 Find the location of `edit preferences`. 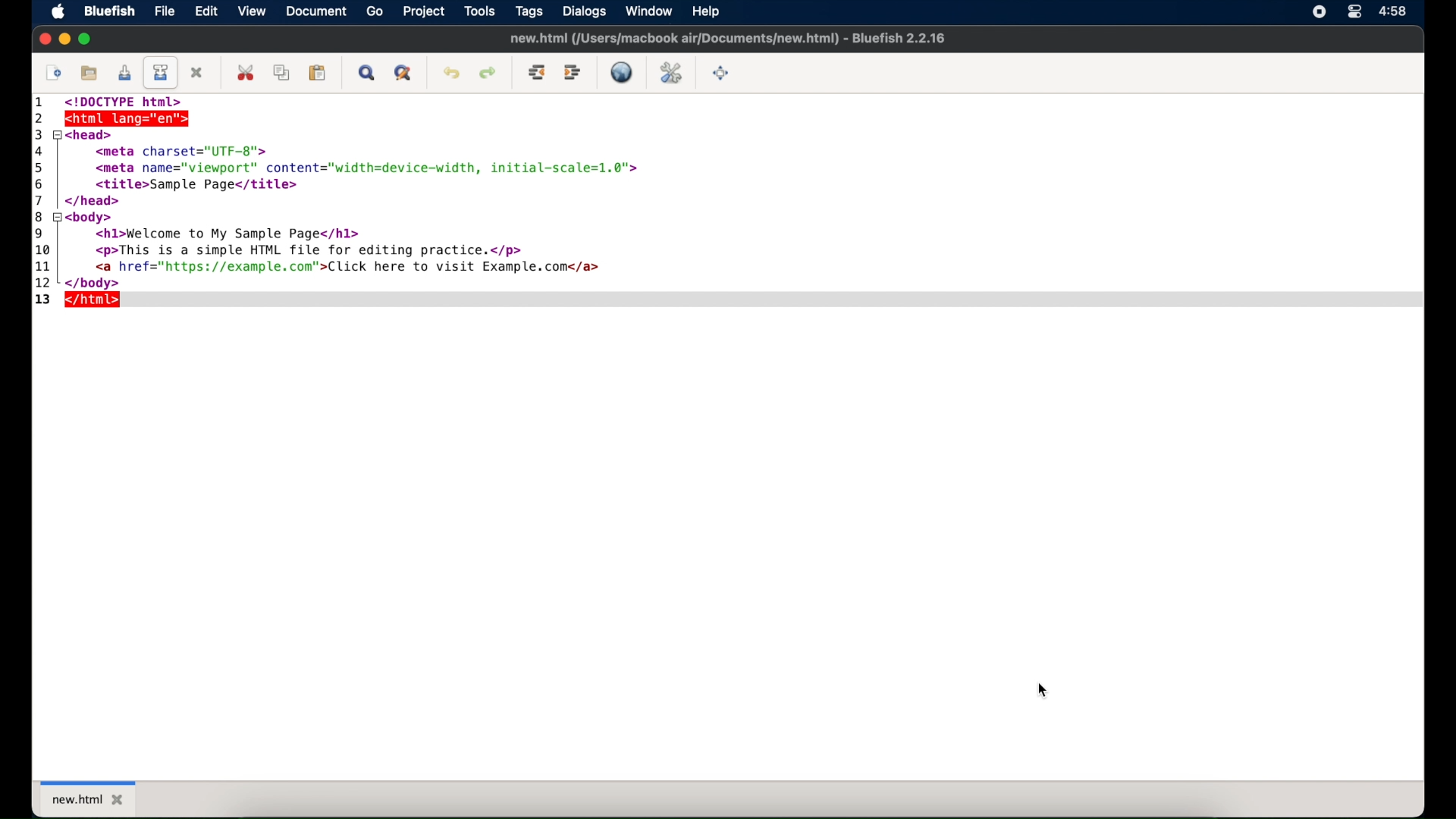

edit preferences is located at coordinates (671, 73).